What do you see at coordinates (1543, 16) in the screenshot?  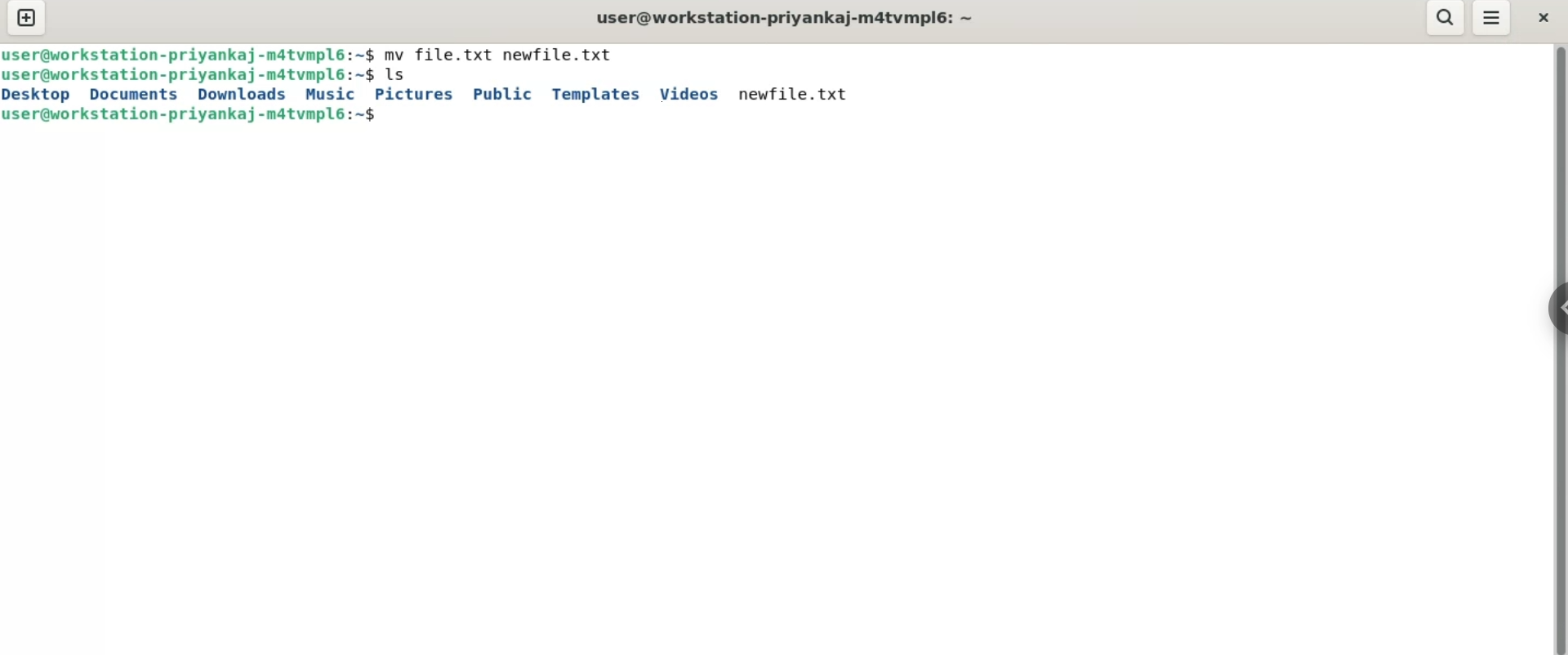 I see `close` at bounding box center [1543, 16].